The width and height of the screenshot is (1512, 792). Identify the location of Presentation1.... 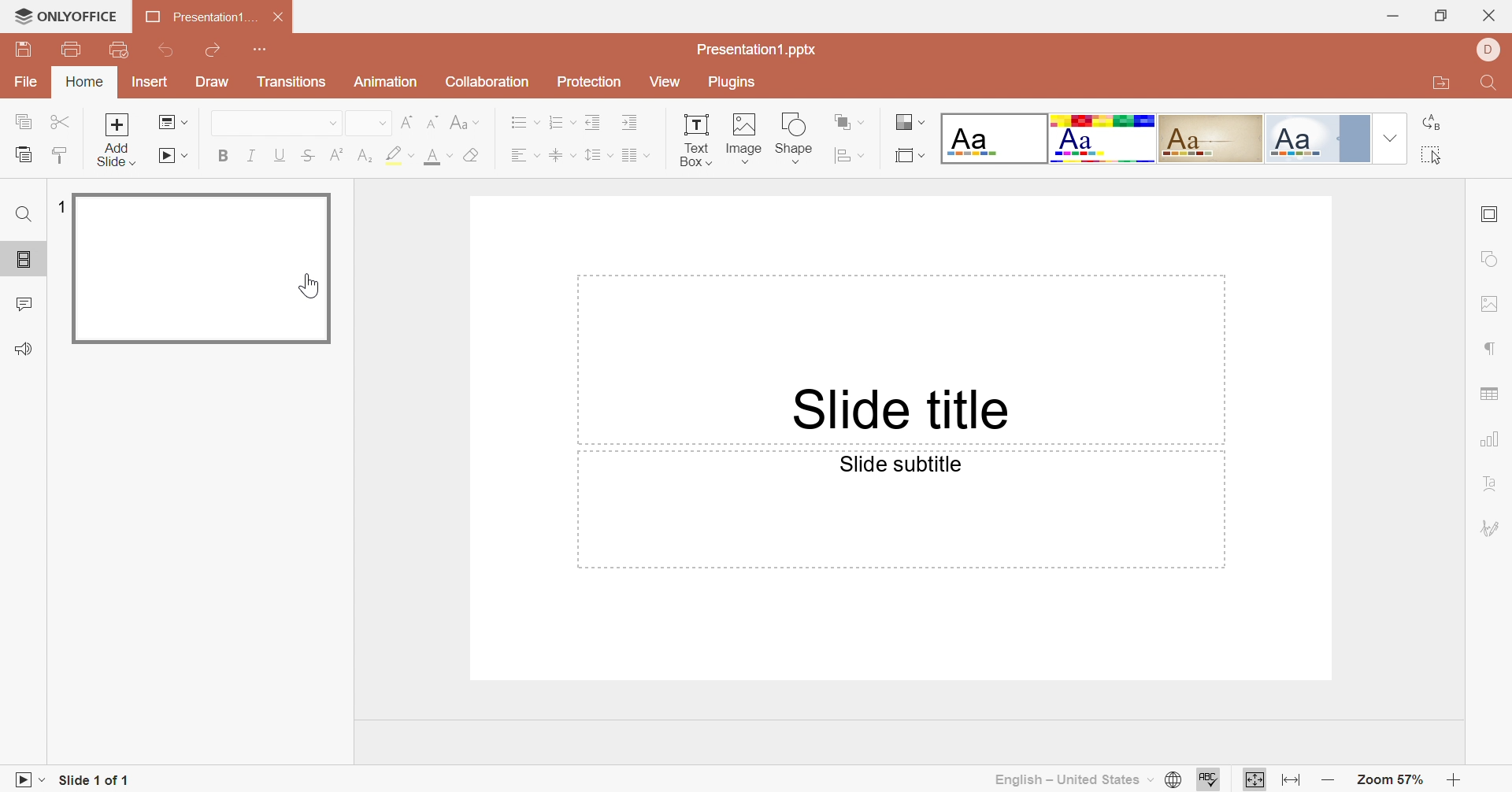
(201, 16).